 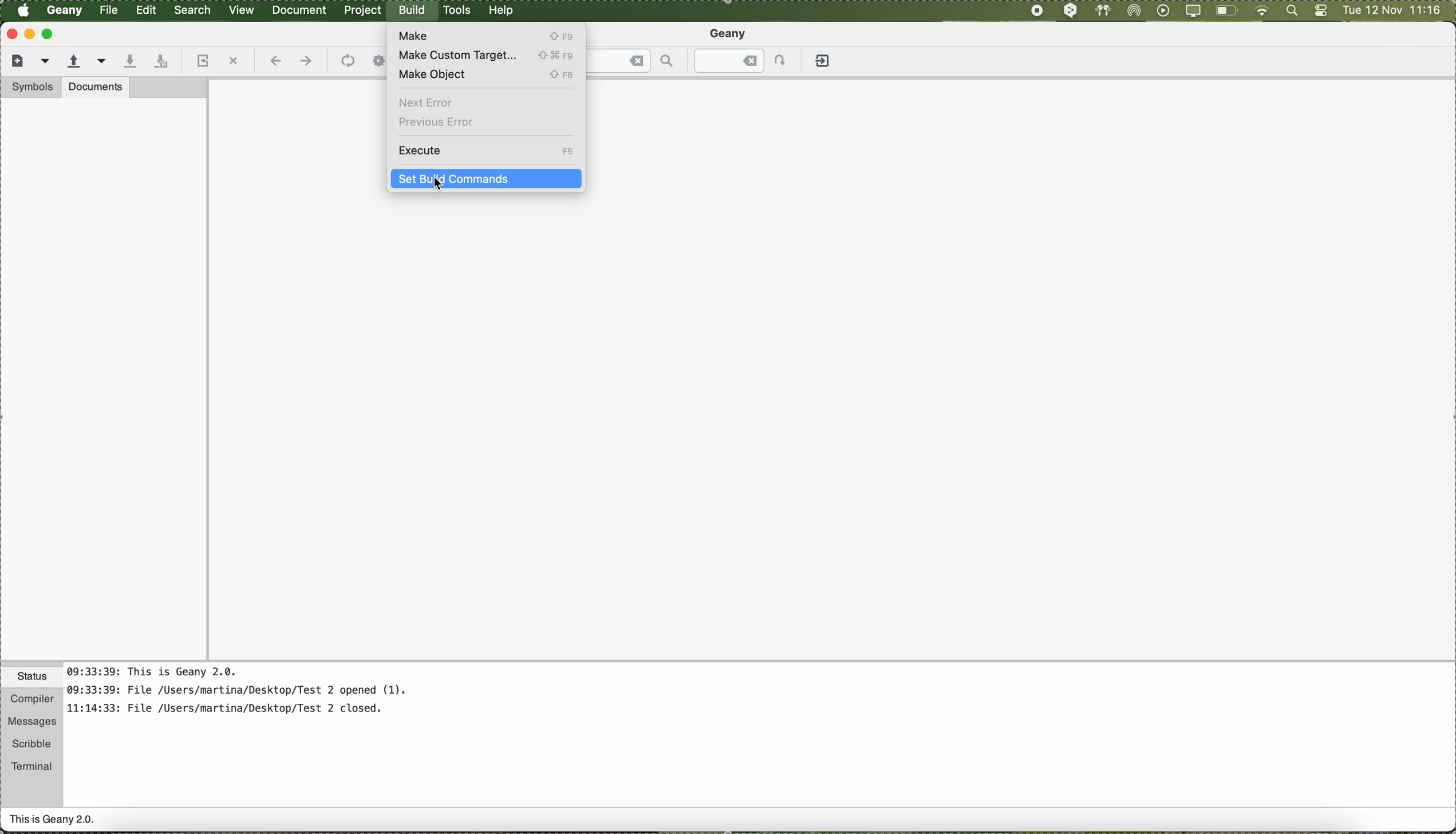 What do you see at coordinates (1262, 11) in the screenshot?
I see `wifi` at bounding box center [1262, 11].